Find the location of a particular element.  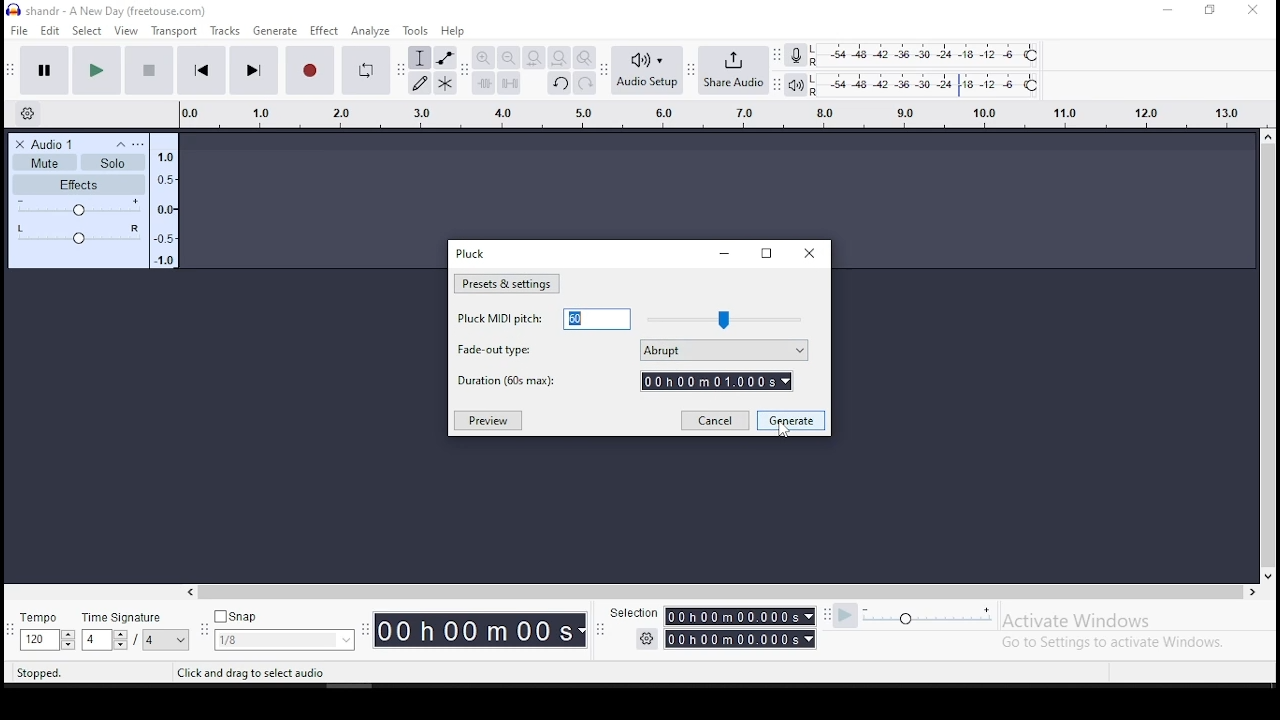

preset and settings is located at coordinates (507, 283).